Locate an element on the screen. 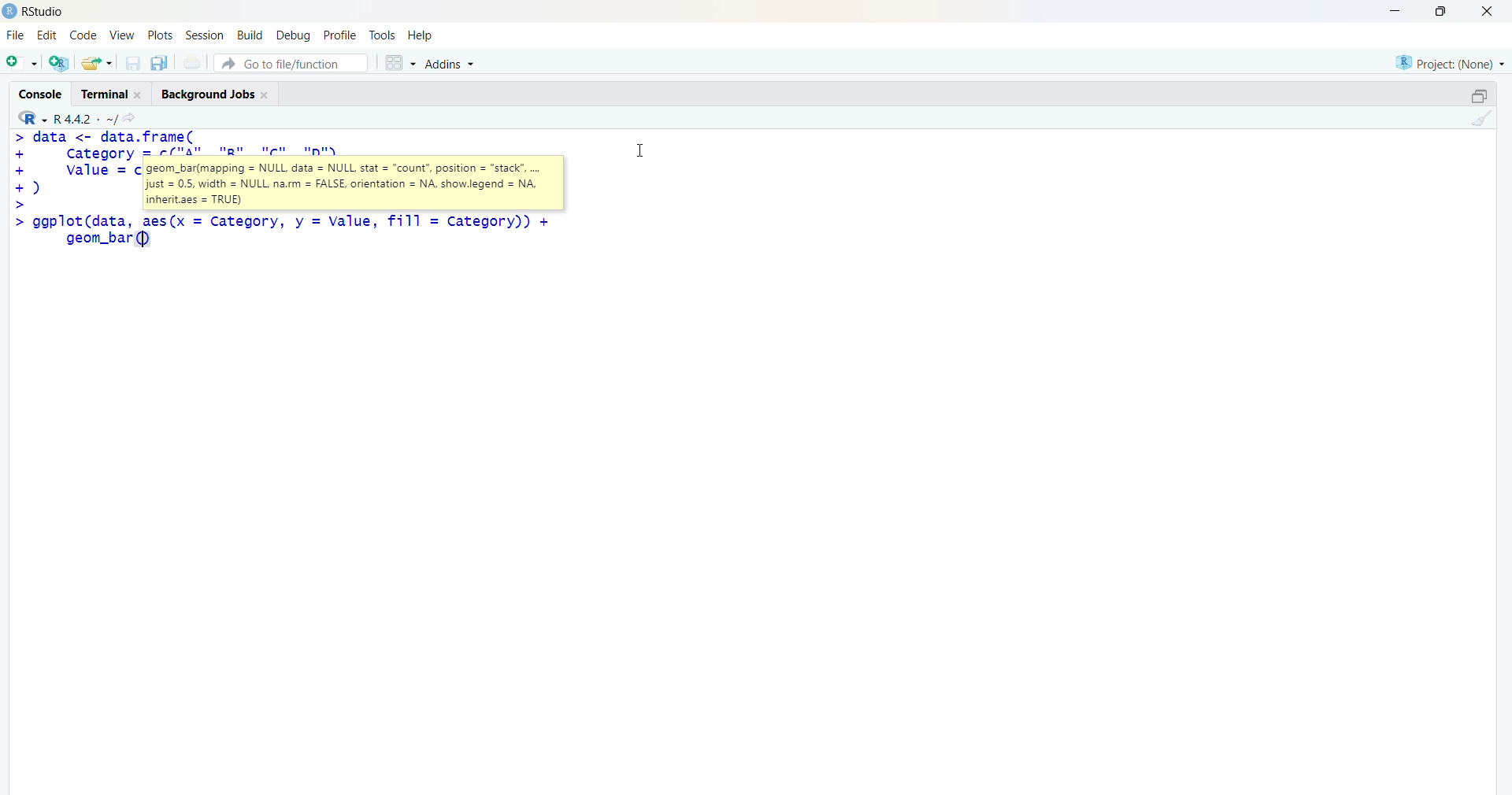  code is located at coordinates (83, 35).